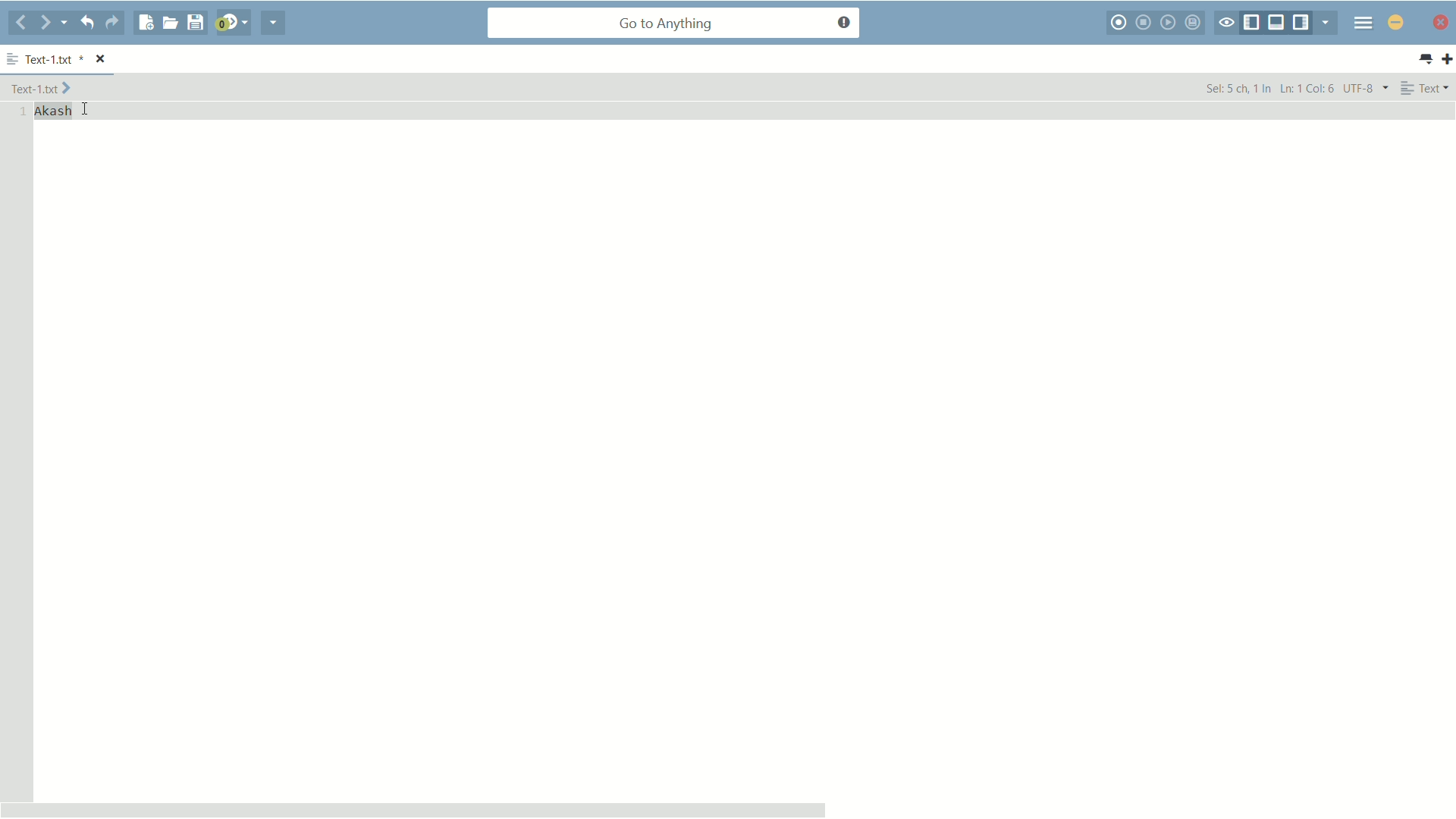 The height and width of the screenshot is (819, 1456). What do you see at coordinates (1195, 22) in the screenshot?
I see `save macro to toolbox` at bounding box center [1195, 22].